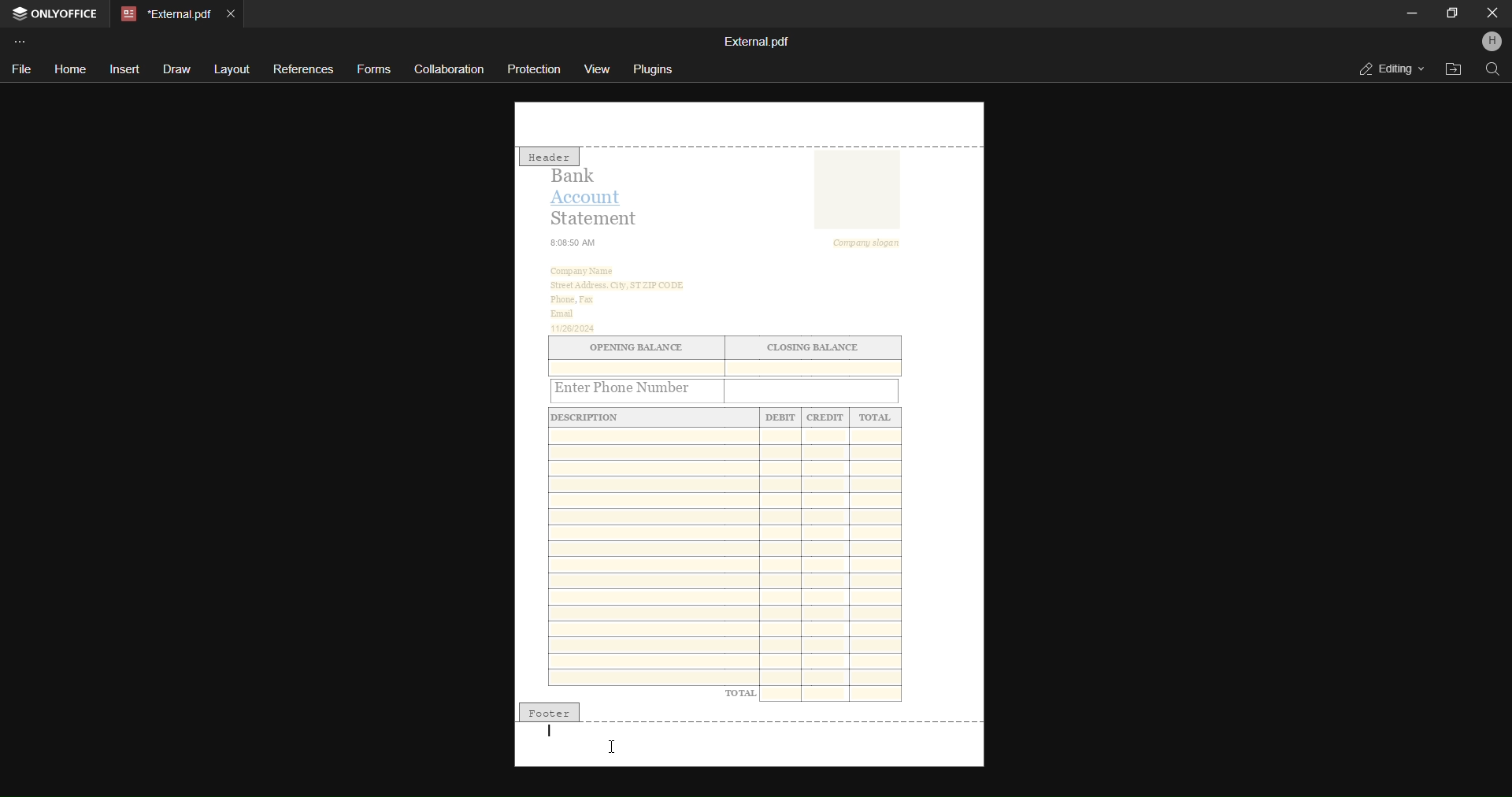  I want to click on ‘OPENING BALANCE, so click(635, 348).